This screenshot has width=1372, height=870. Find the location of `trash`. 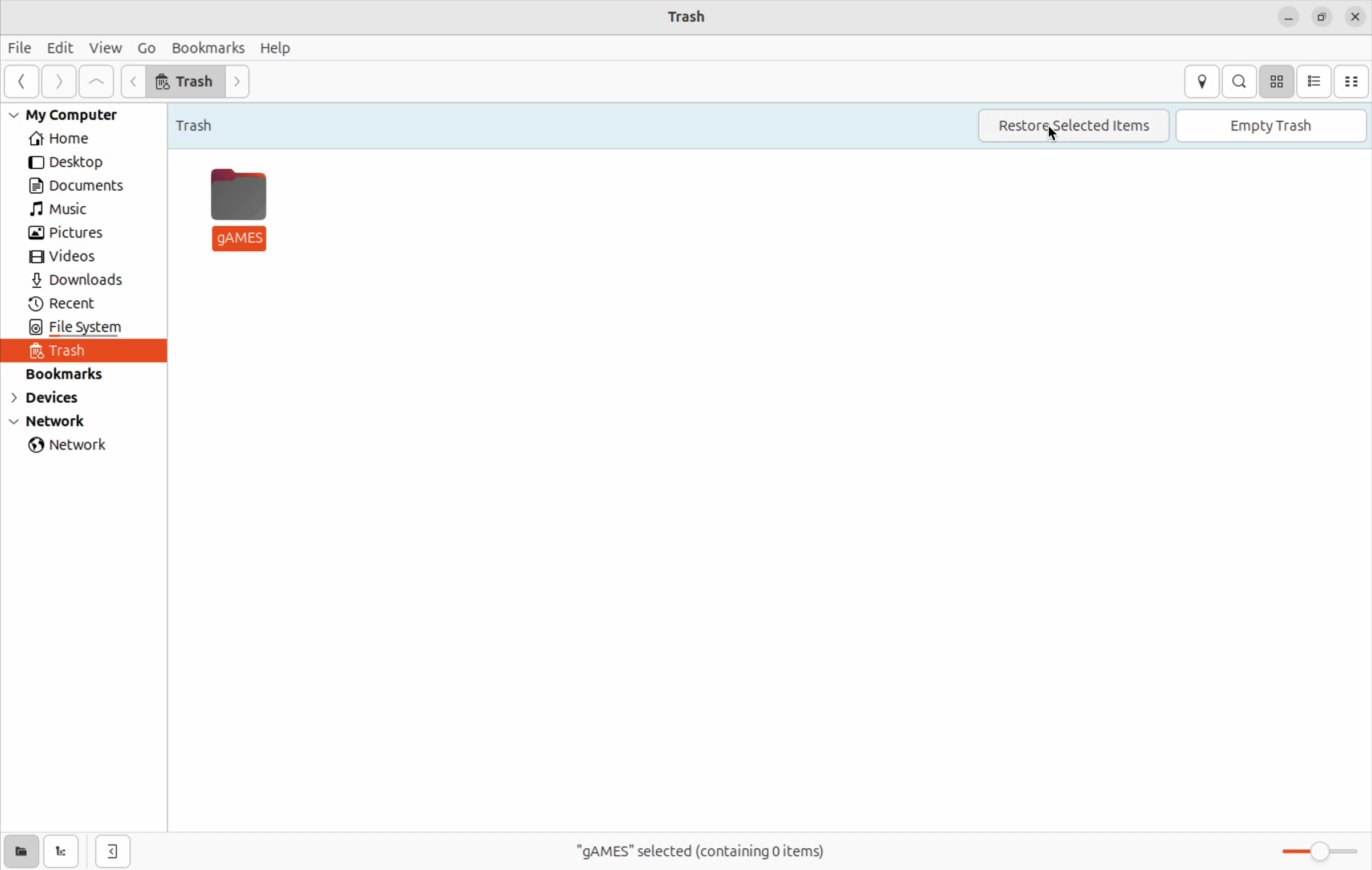

trash is located at coordinates (74, 352).